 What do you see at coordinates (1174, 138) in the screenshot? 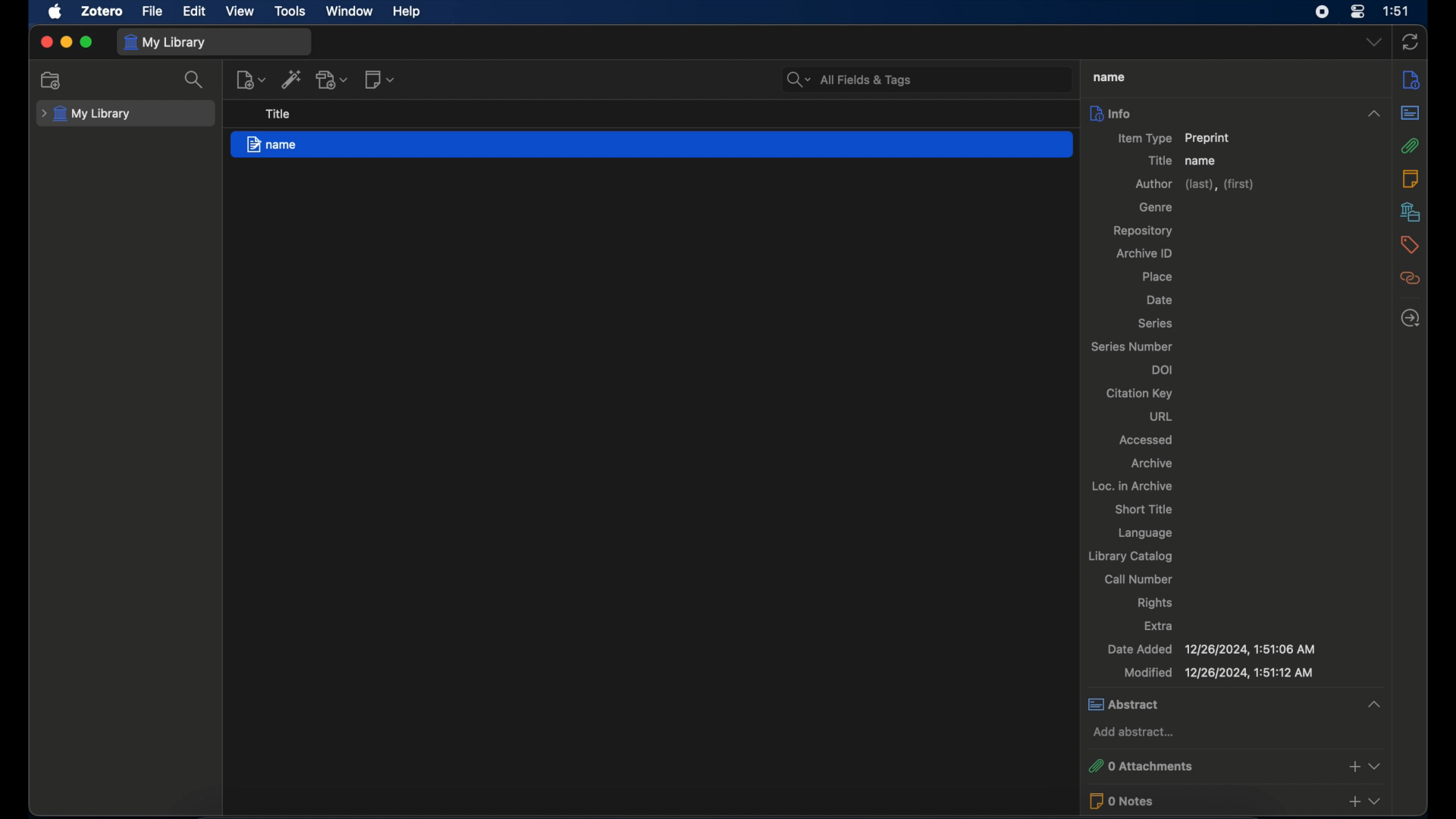
I see `item type preprint` at bounding box center [1174, 138].